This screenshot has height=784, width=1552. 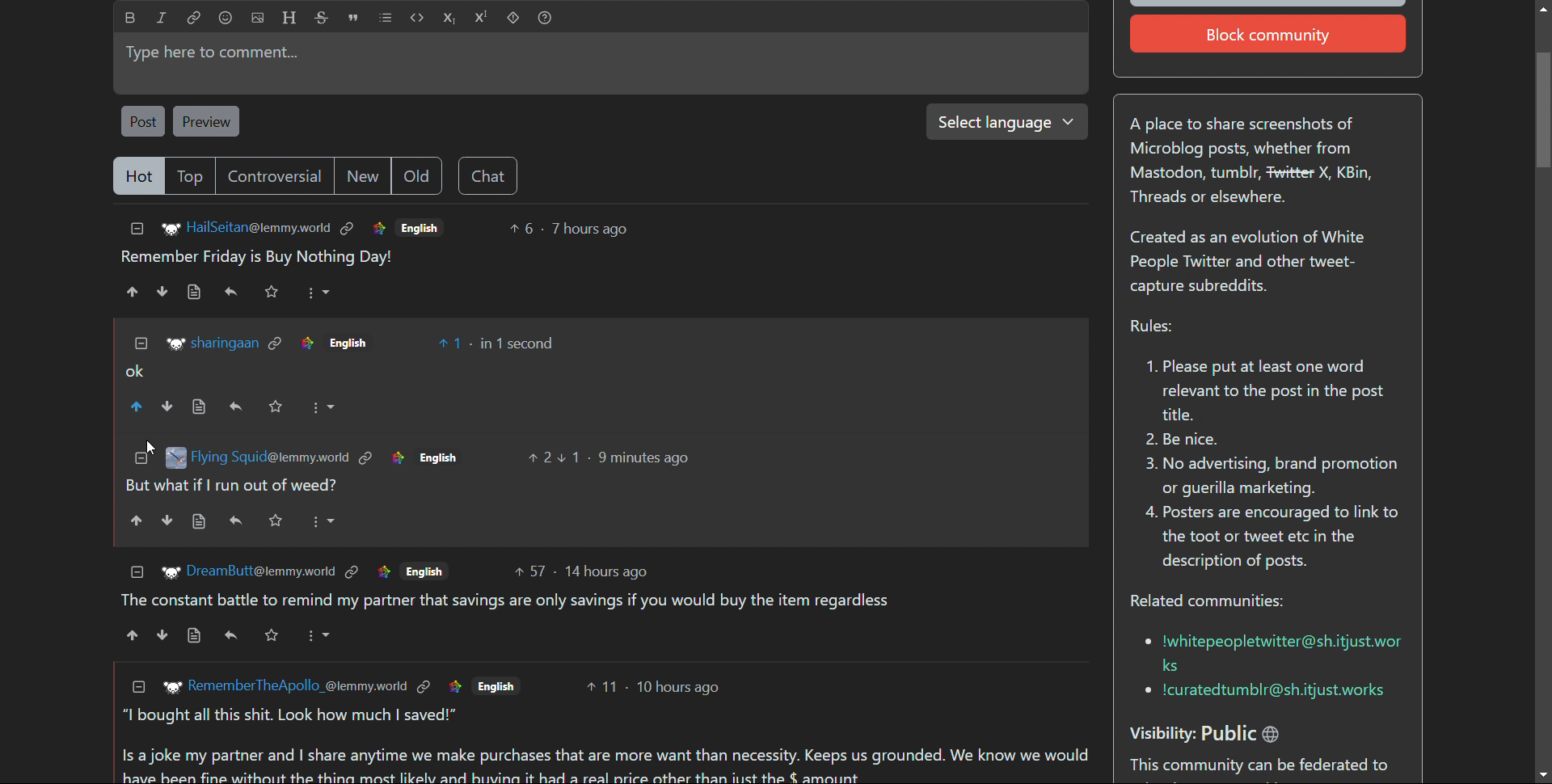 I want to click on 1. Please put at least one word relevant to the post in the post title., so click(x=1261, y=391).